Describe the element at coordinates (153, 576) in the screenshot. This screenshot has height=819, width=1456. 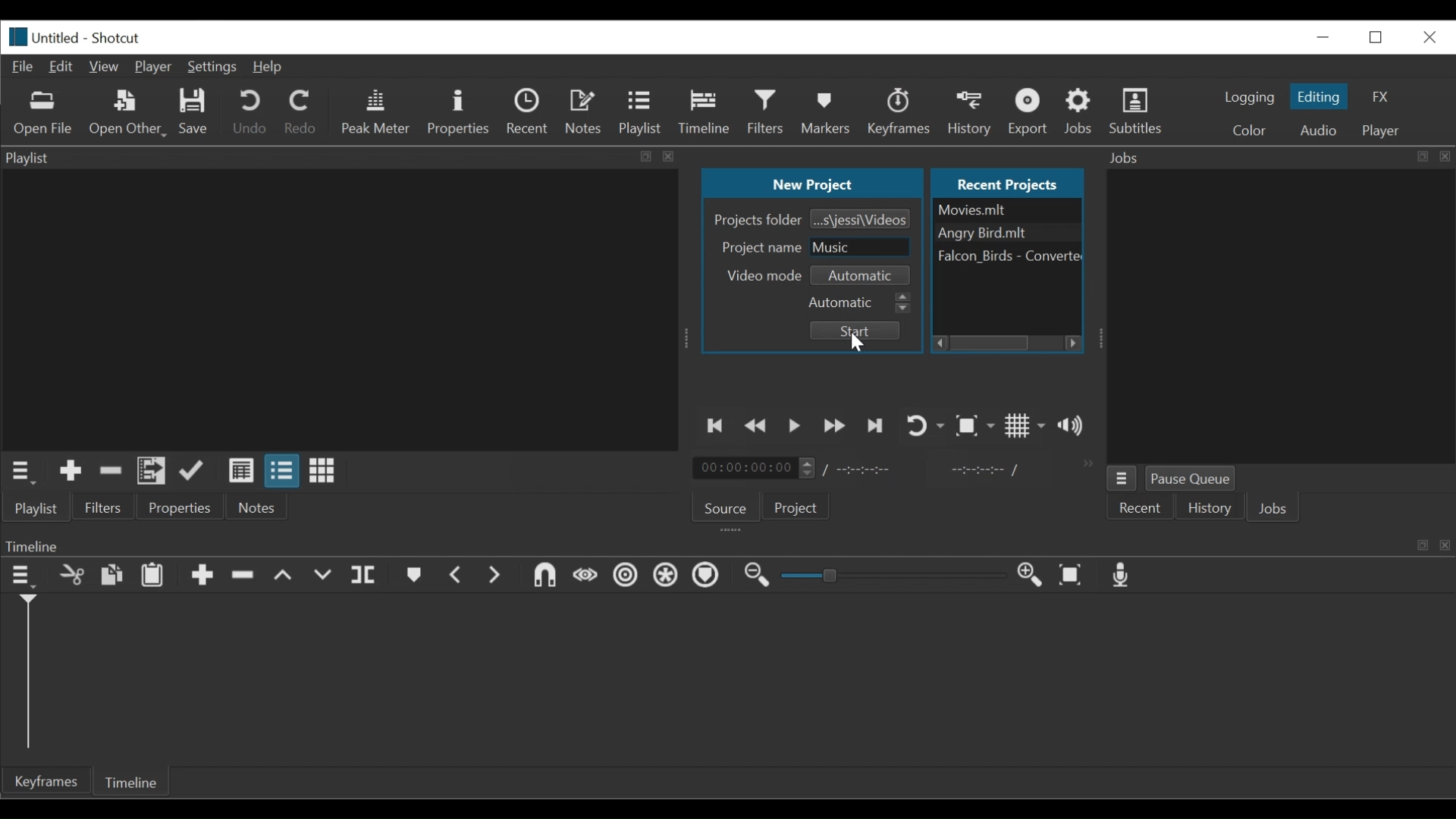
I see `Paste` at that location.